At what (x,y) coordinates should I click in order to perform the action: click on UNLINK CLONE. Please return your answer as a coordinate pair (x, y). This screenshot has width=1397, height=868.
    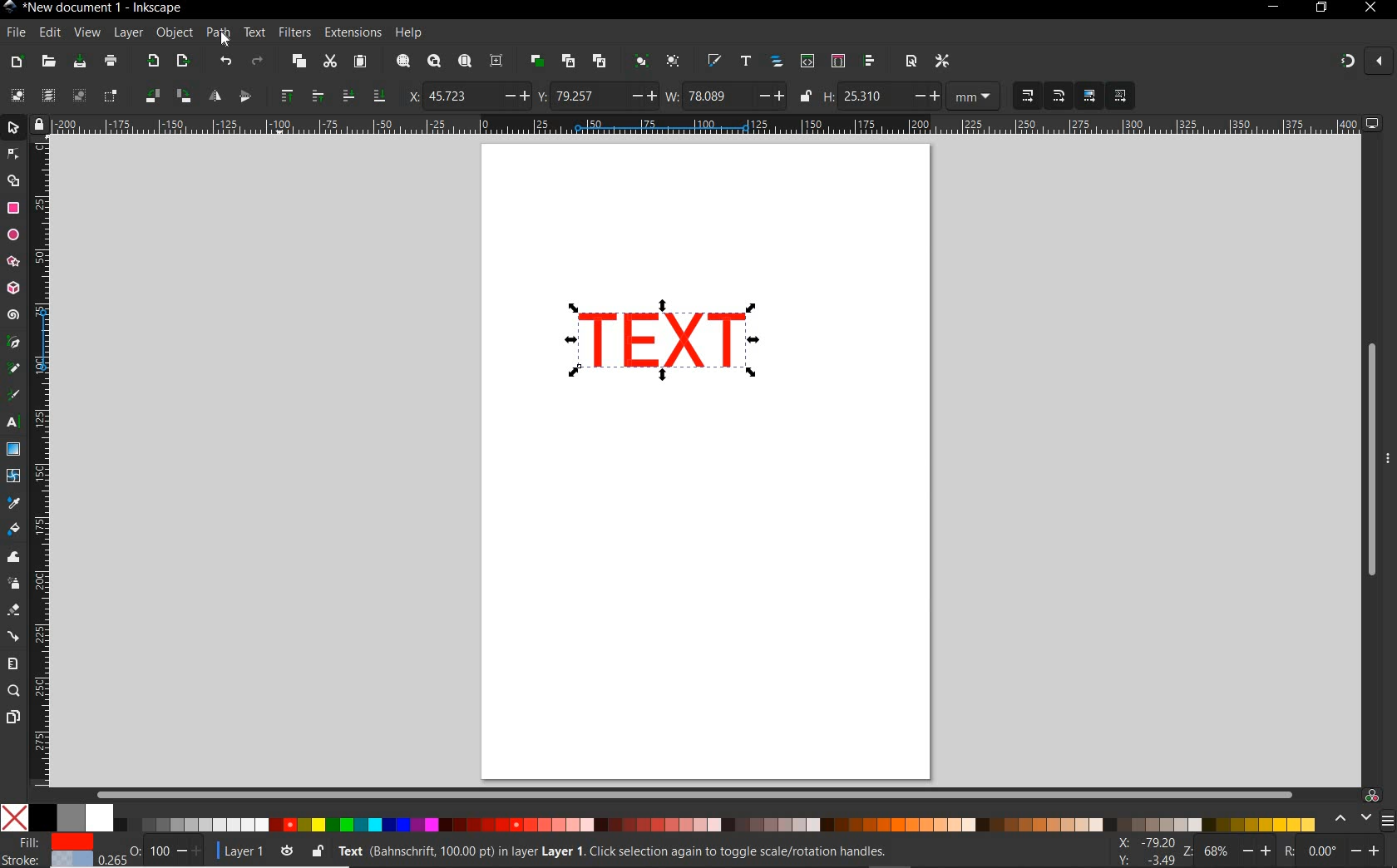
    Looking at the image, I should click on (600, 62).